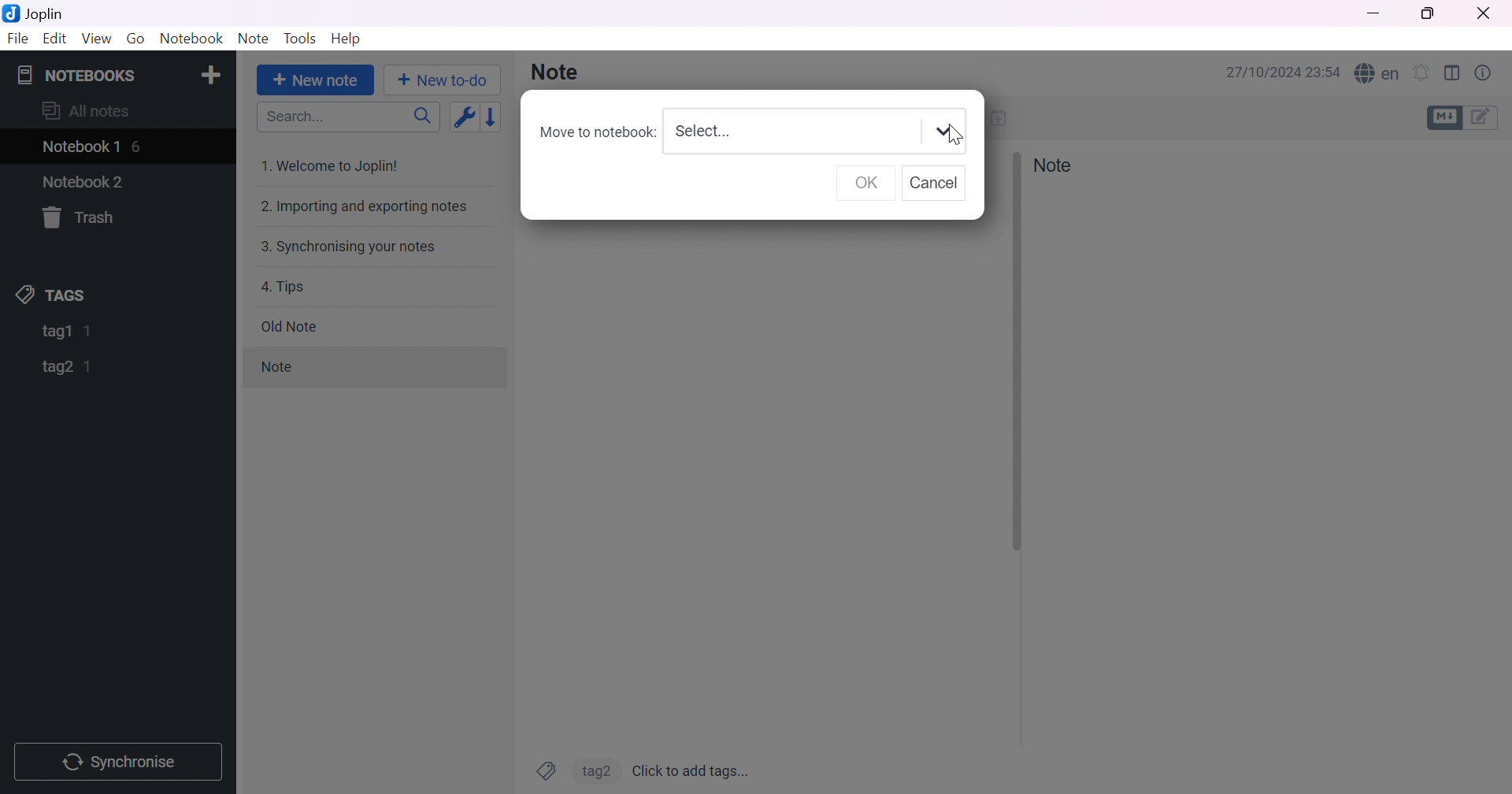 The height and width of the screenshot is (794, 1512). Describe the element at coordinates (58, 367) in the screenshot. I see `tag2` at that location.